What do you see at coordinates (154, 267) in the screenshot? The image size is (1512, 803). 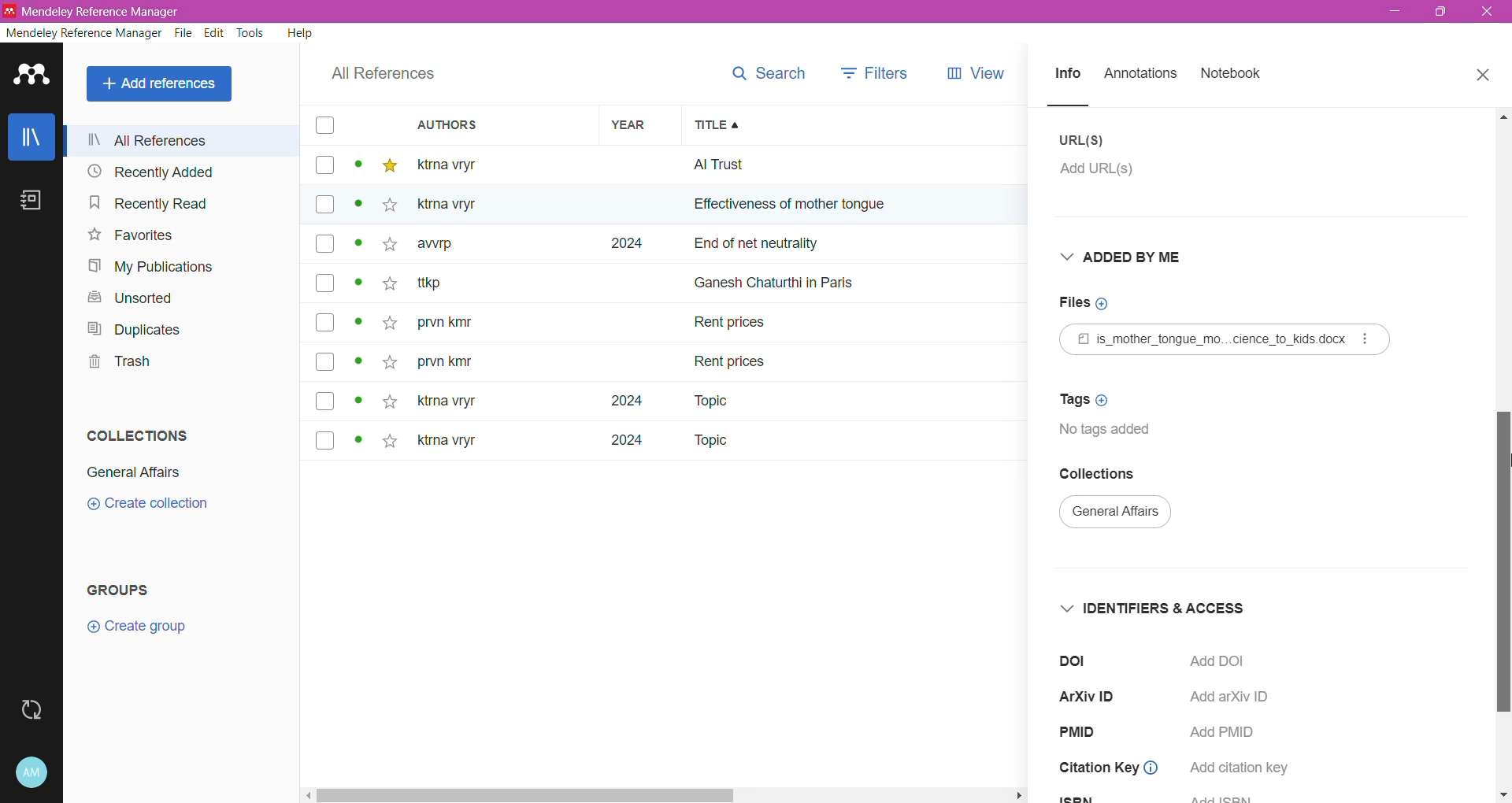 I see `My Publications` at bounding box center [154, 267].